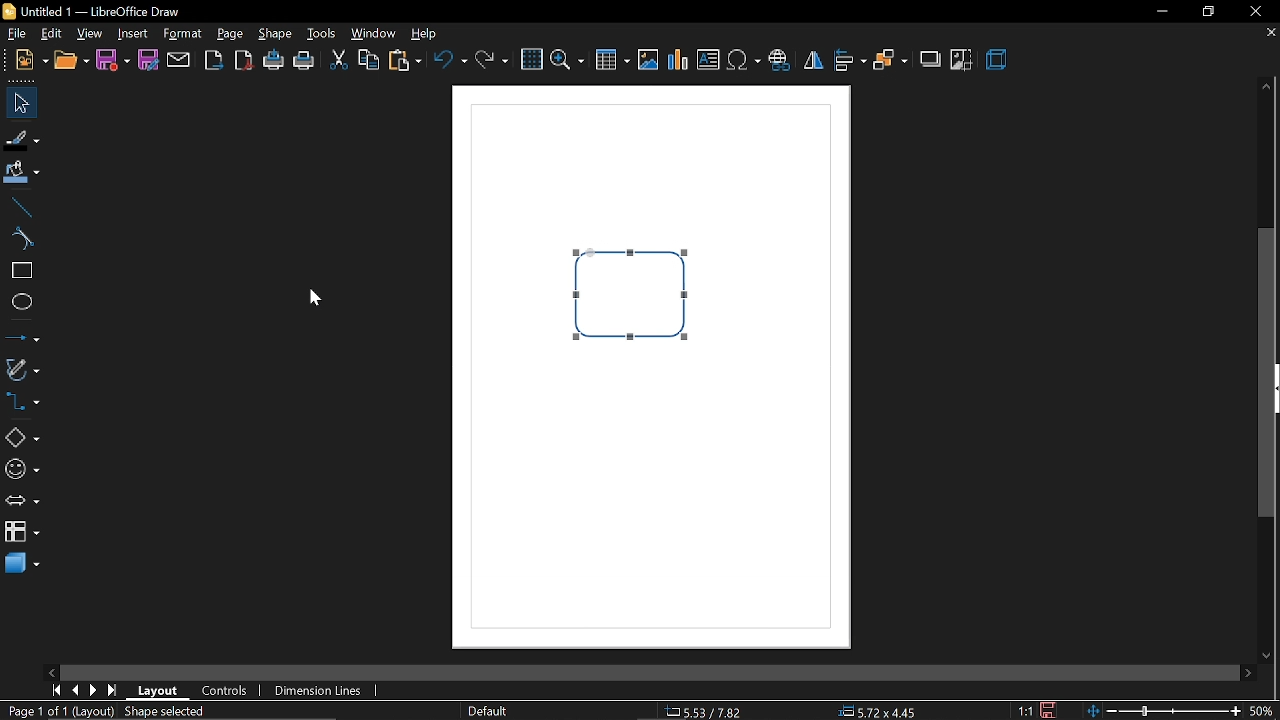  I want to click on save, so click(1048, 710).